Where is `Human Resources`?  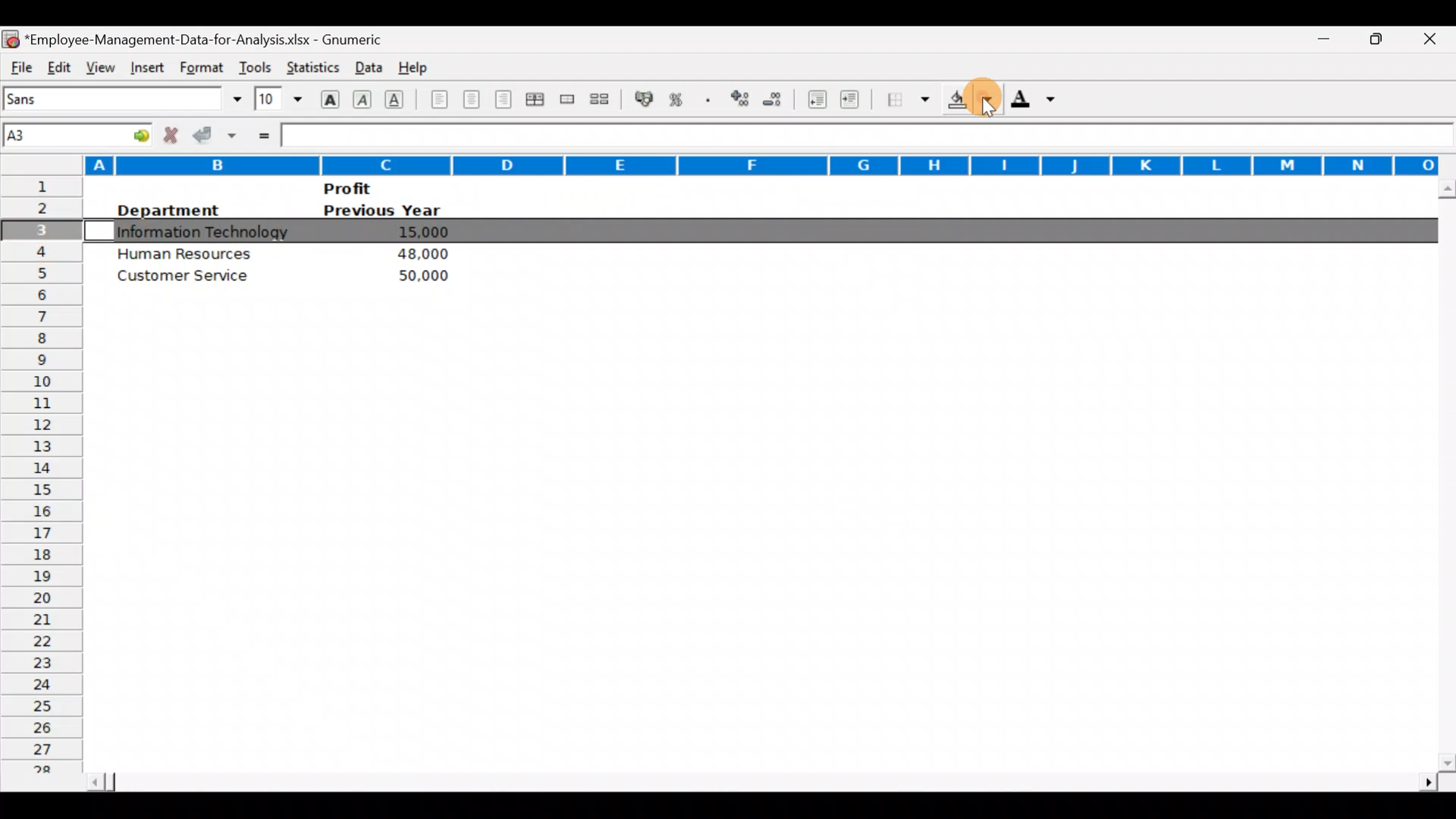 Human Resources is located at coordinates (186, 253).